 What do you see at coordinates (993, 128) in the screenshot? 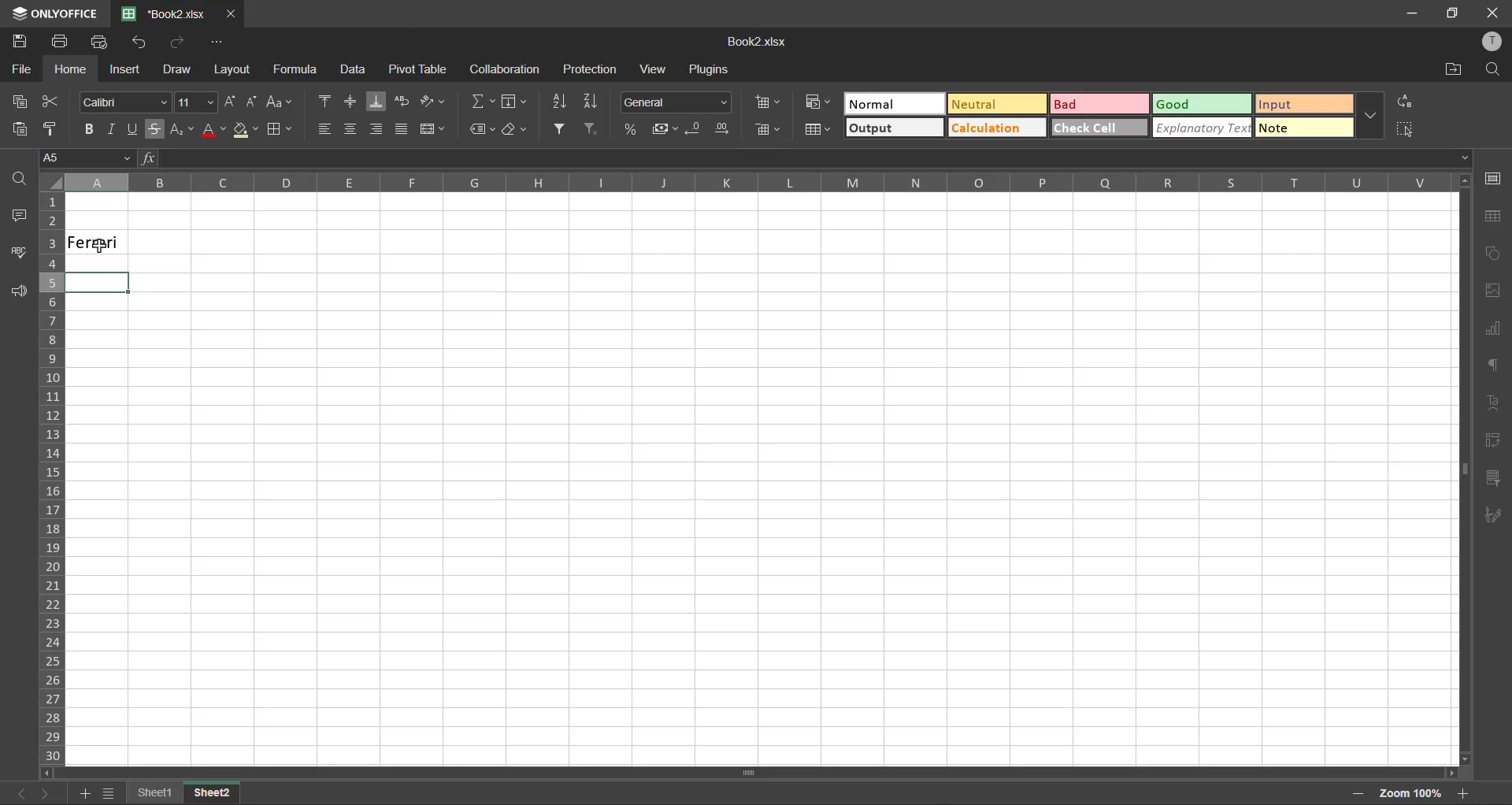
I see `calculation` at bounding box center [993, 128].